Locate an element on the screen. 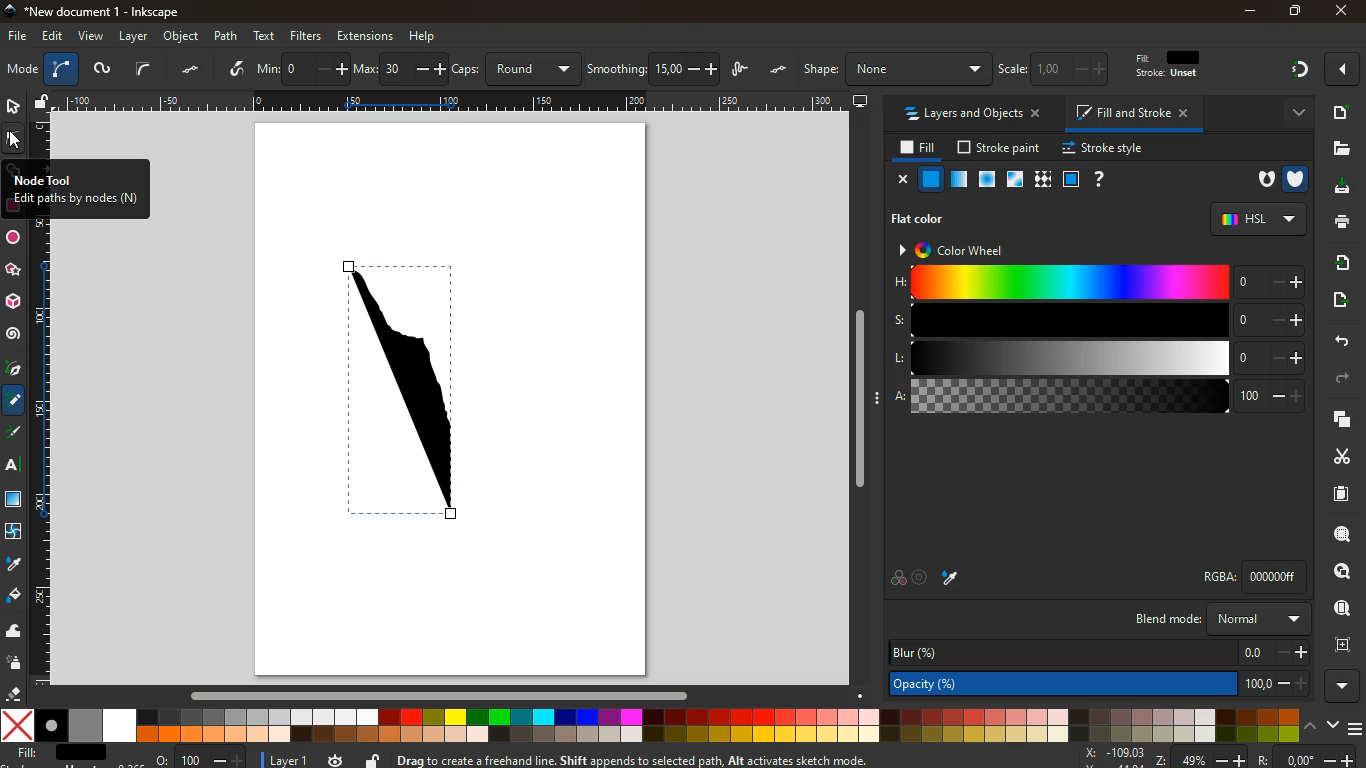 The width and height of the screenshot is (1366, 768). stroke paint is located at coordinates (1001, 147).